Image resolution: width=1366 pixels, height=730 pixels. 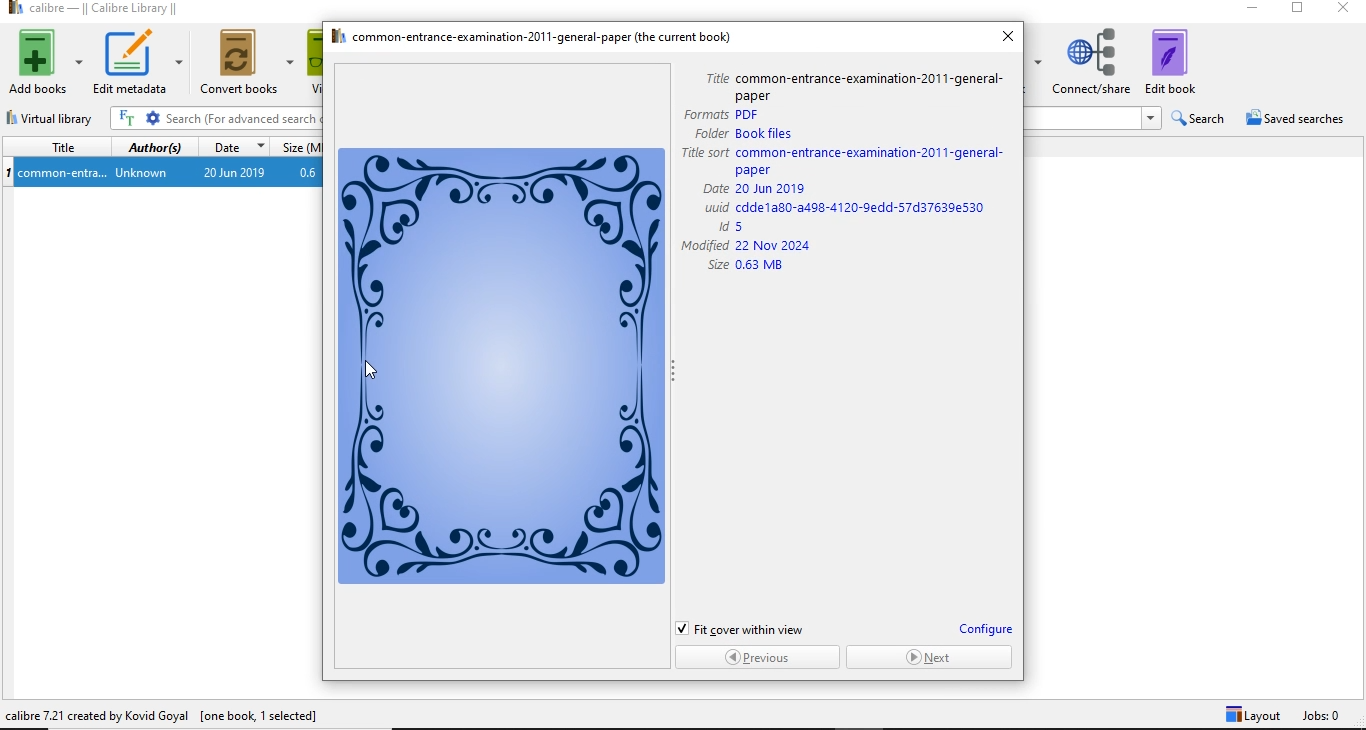 What do you see at coordinates (720, 115) in the screenshot?
I see `formats pdf` at bounding box center [720, 115].